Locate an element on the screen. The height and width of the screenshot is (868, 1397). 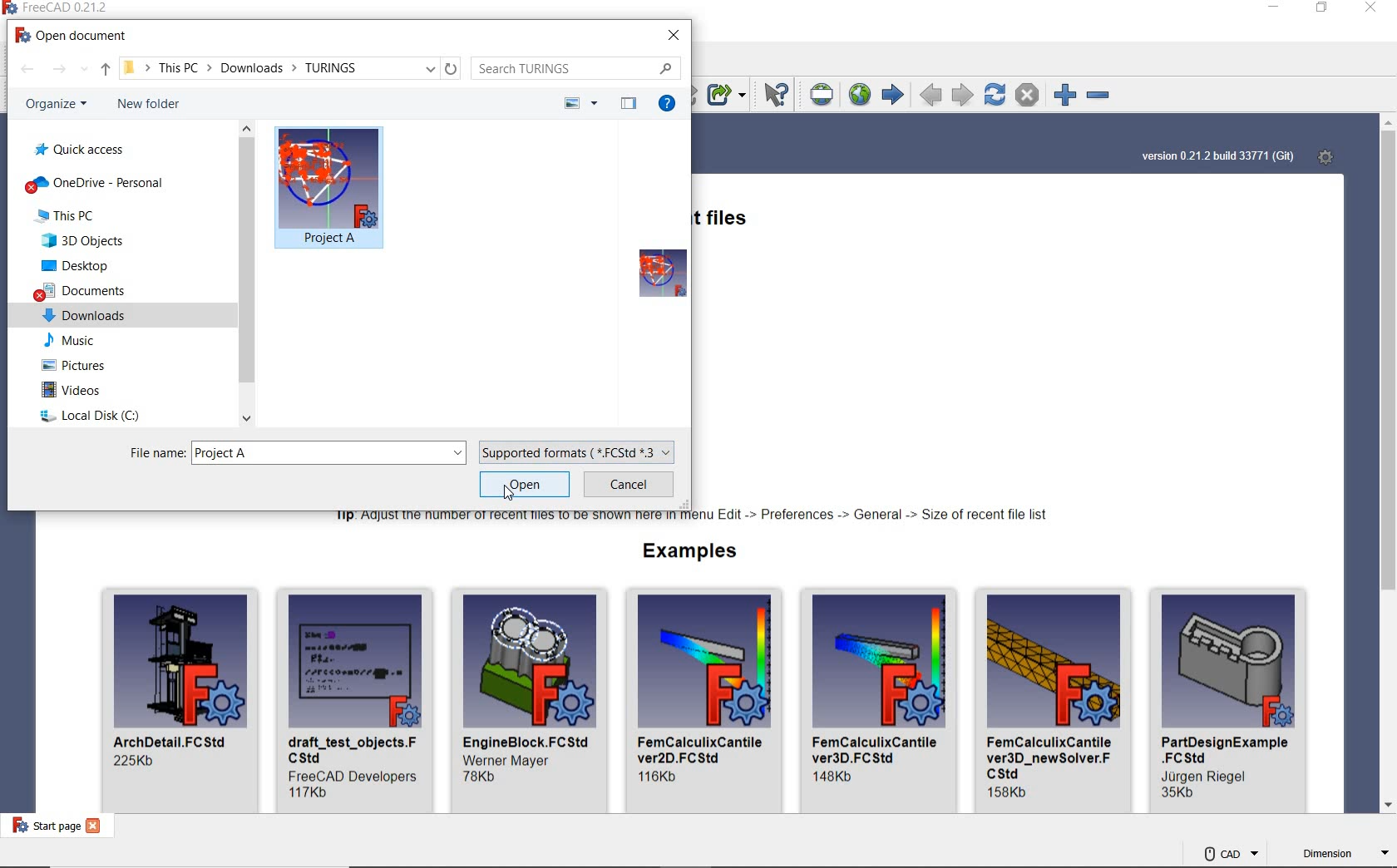
name is located at coordinates (527, 740).